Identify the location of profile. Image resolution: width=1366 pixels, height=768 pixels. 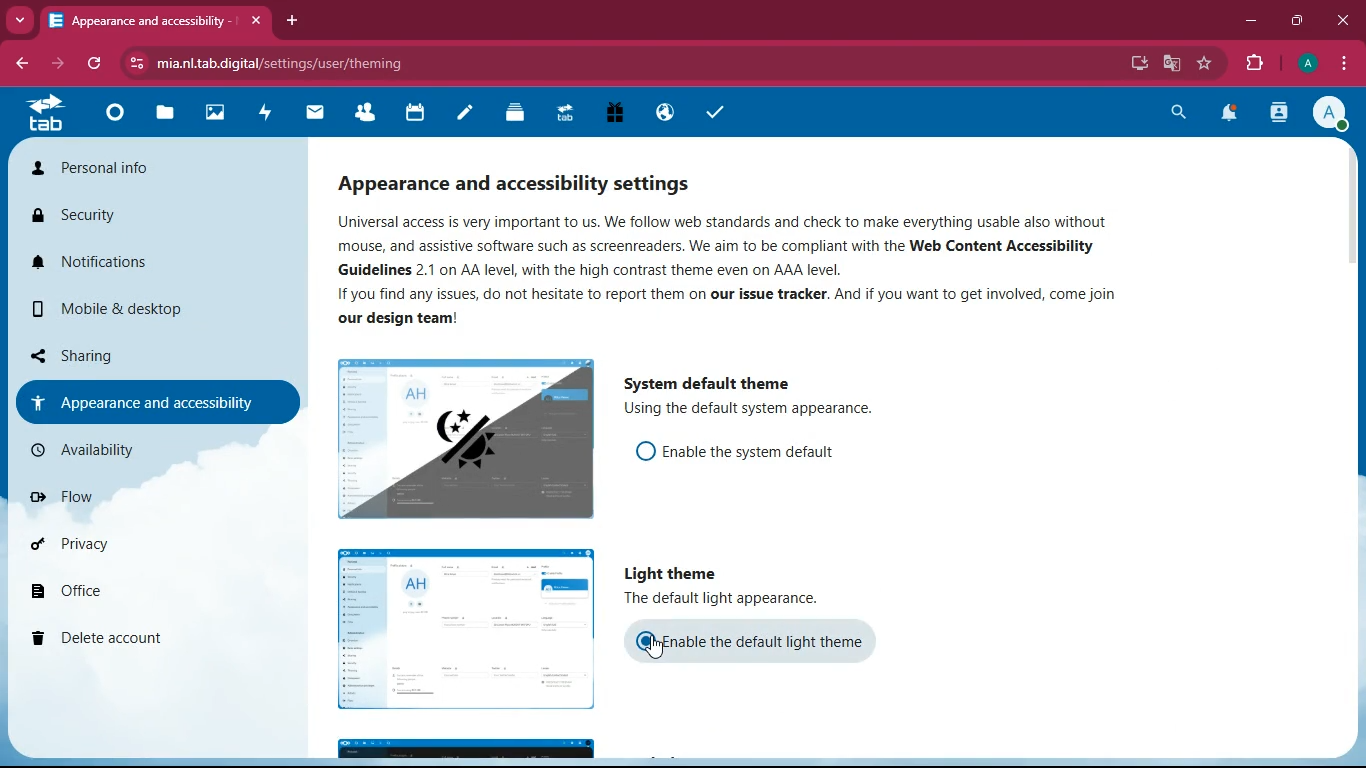
(1328, 114).